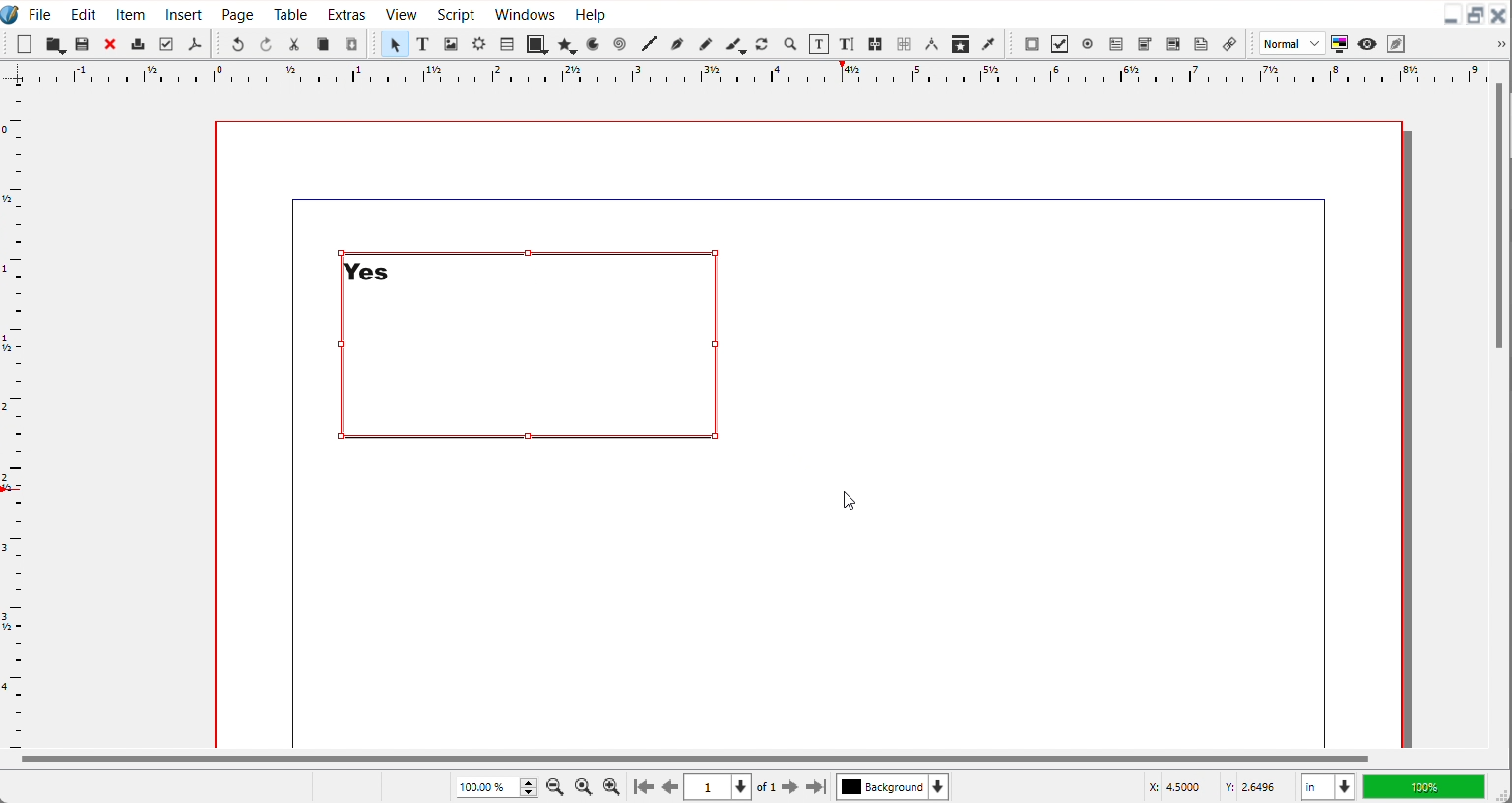 The width and height of the screenshot is (1512, 803). Describe the element at coordinates (525, 12) in the screenshot. I see `Windows` at that location.